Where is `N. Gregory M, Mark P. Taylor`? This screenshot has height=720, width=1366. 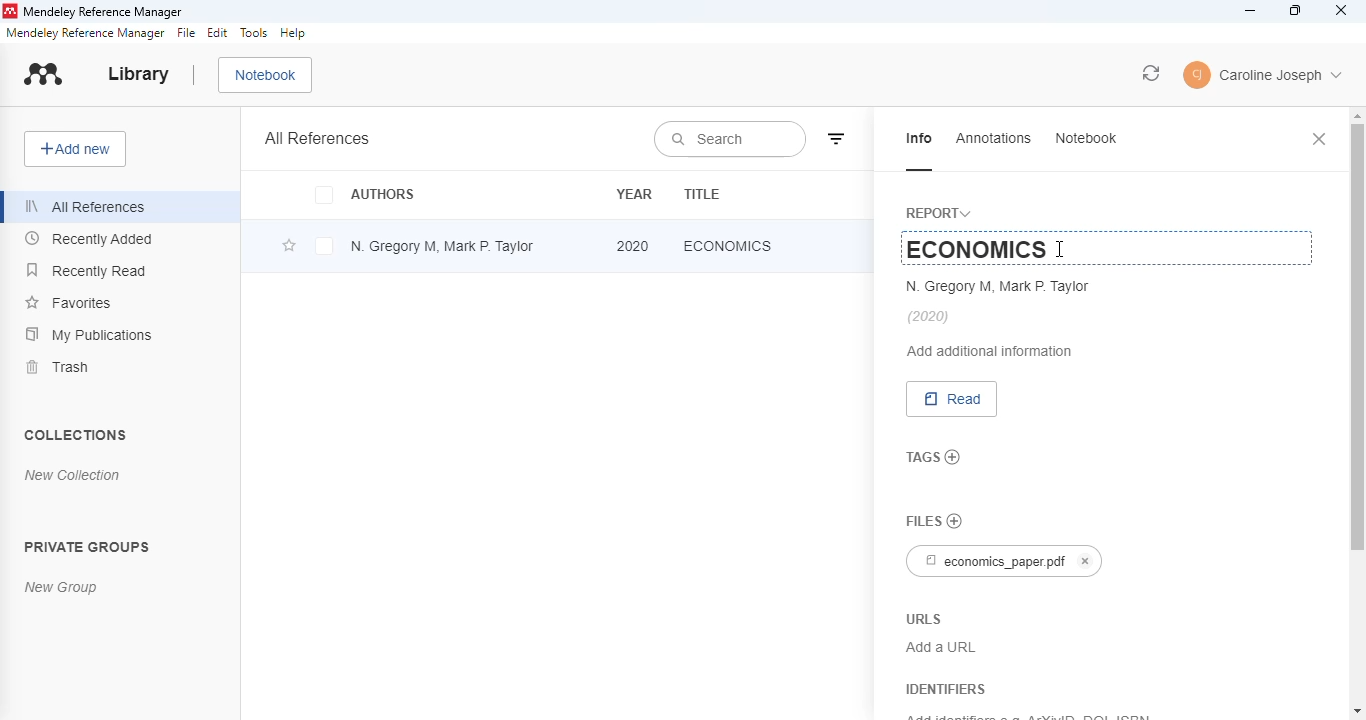 N. Gregory M, Mark P. Taylor is located at coordinates (999, 286).